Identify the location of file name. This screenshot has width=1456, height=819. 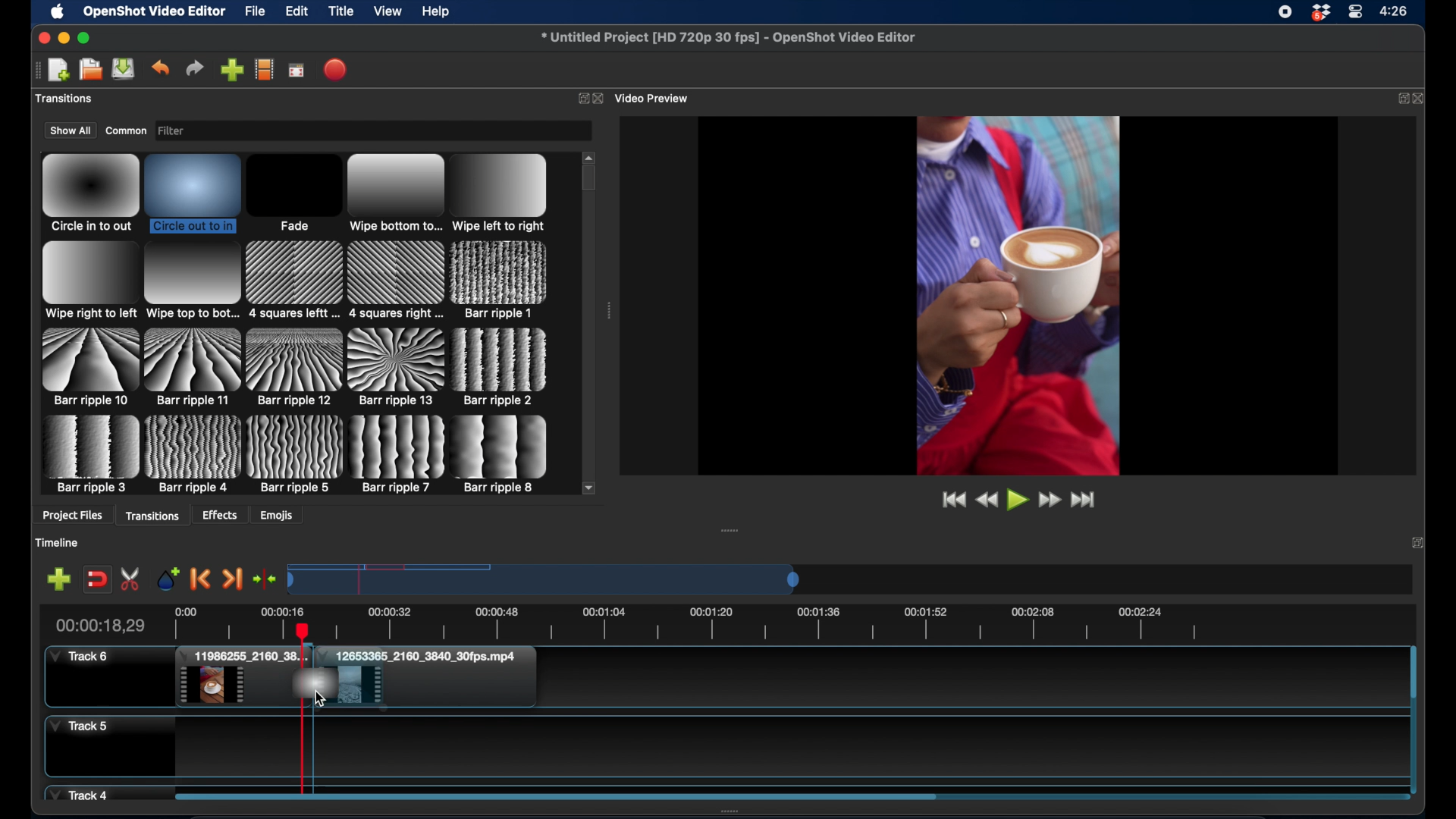
(730, 38).